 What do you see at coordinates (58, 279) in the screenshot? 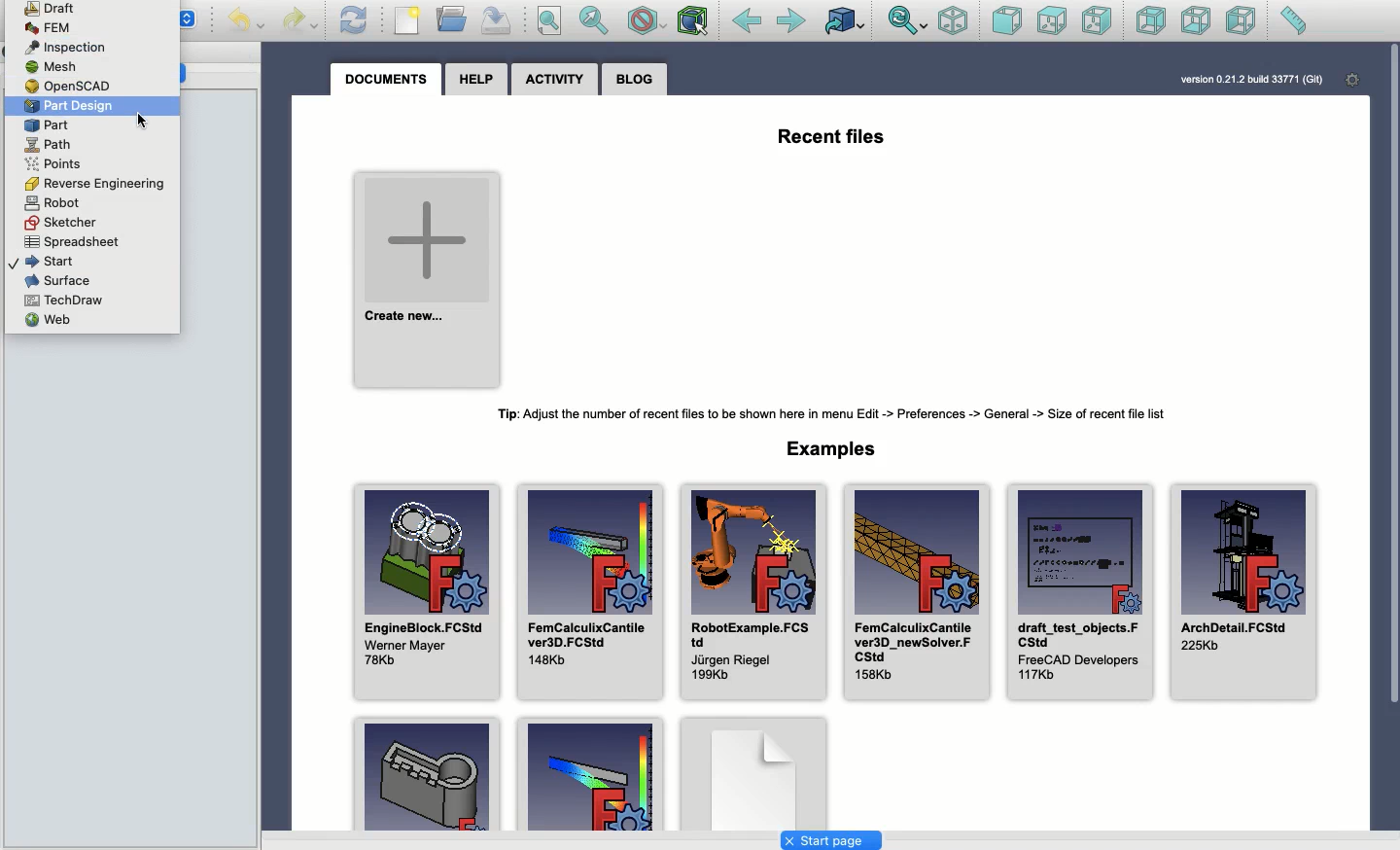
I see `Surface` at bounding box center [58, 279].